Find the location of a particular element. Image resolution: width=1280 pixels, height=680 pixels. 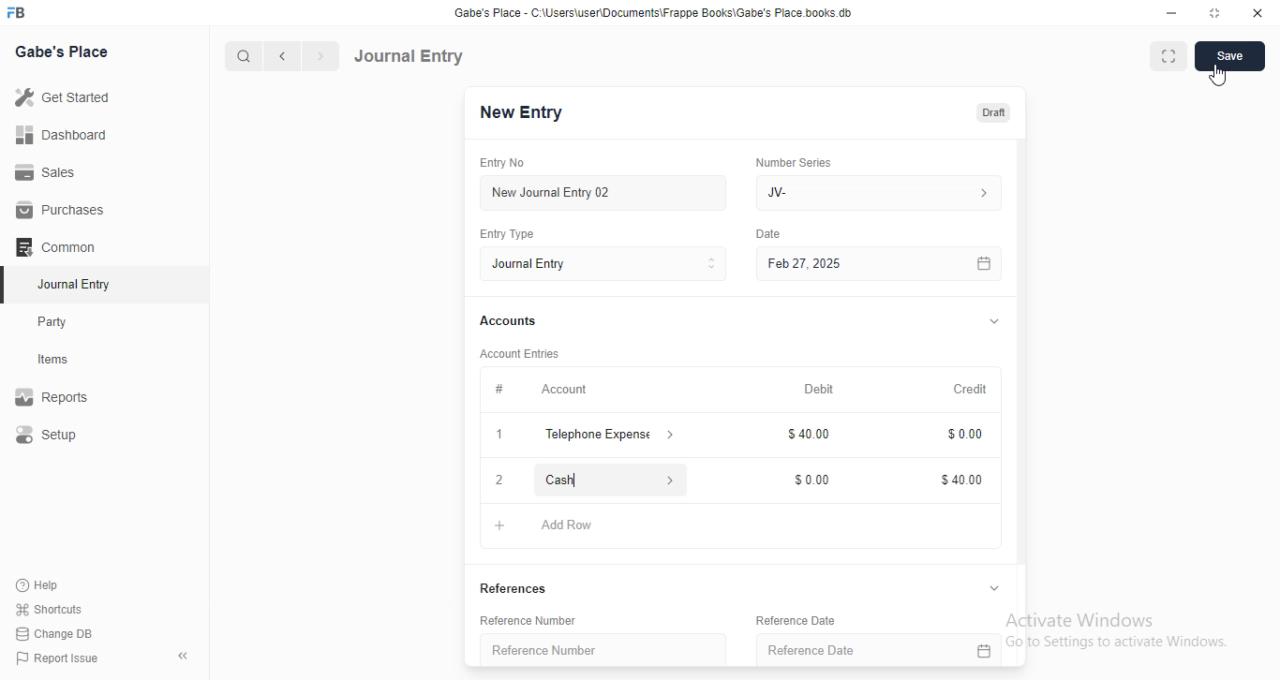

New entry is located at coordinates (527, 114).